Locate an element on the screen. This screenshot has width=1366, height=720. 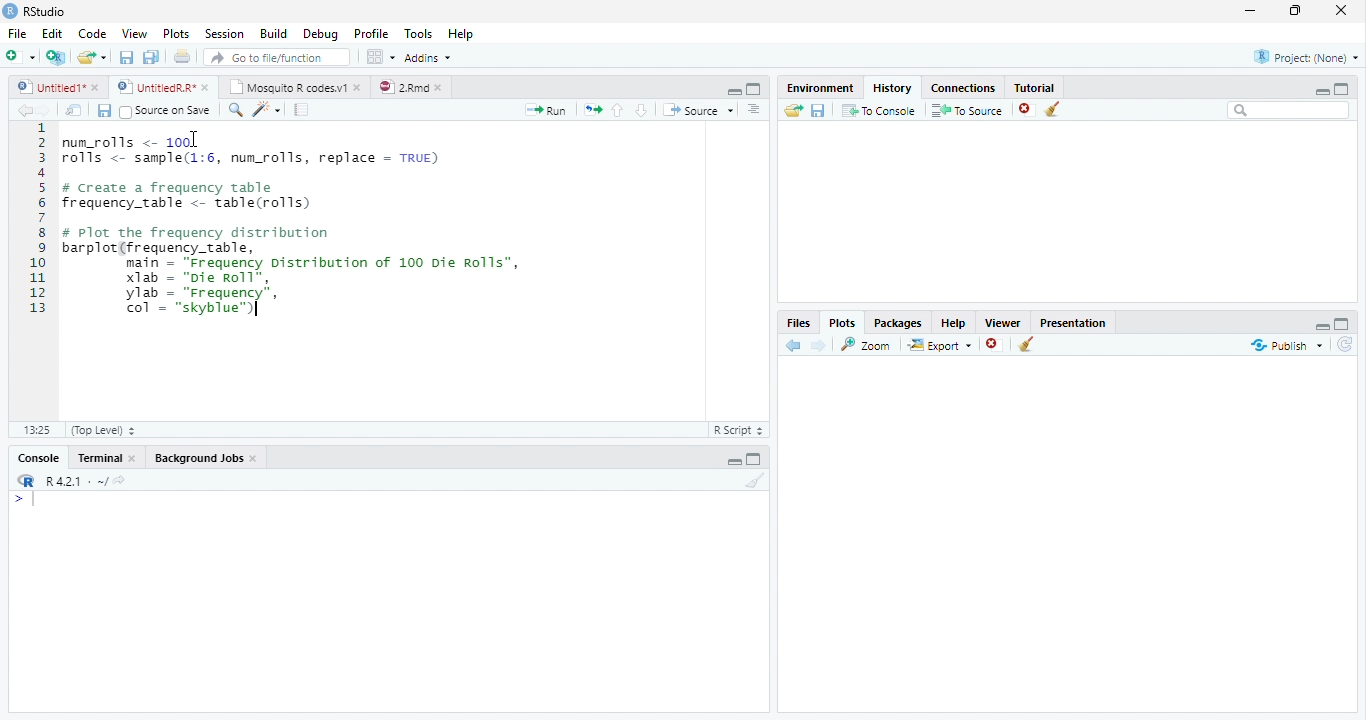
©) 28md is located at coordinates (410, 87).